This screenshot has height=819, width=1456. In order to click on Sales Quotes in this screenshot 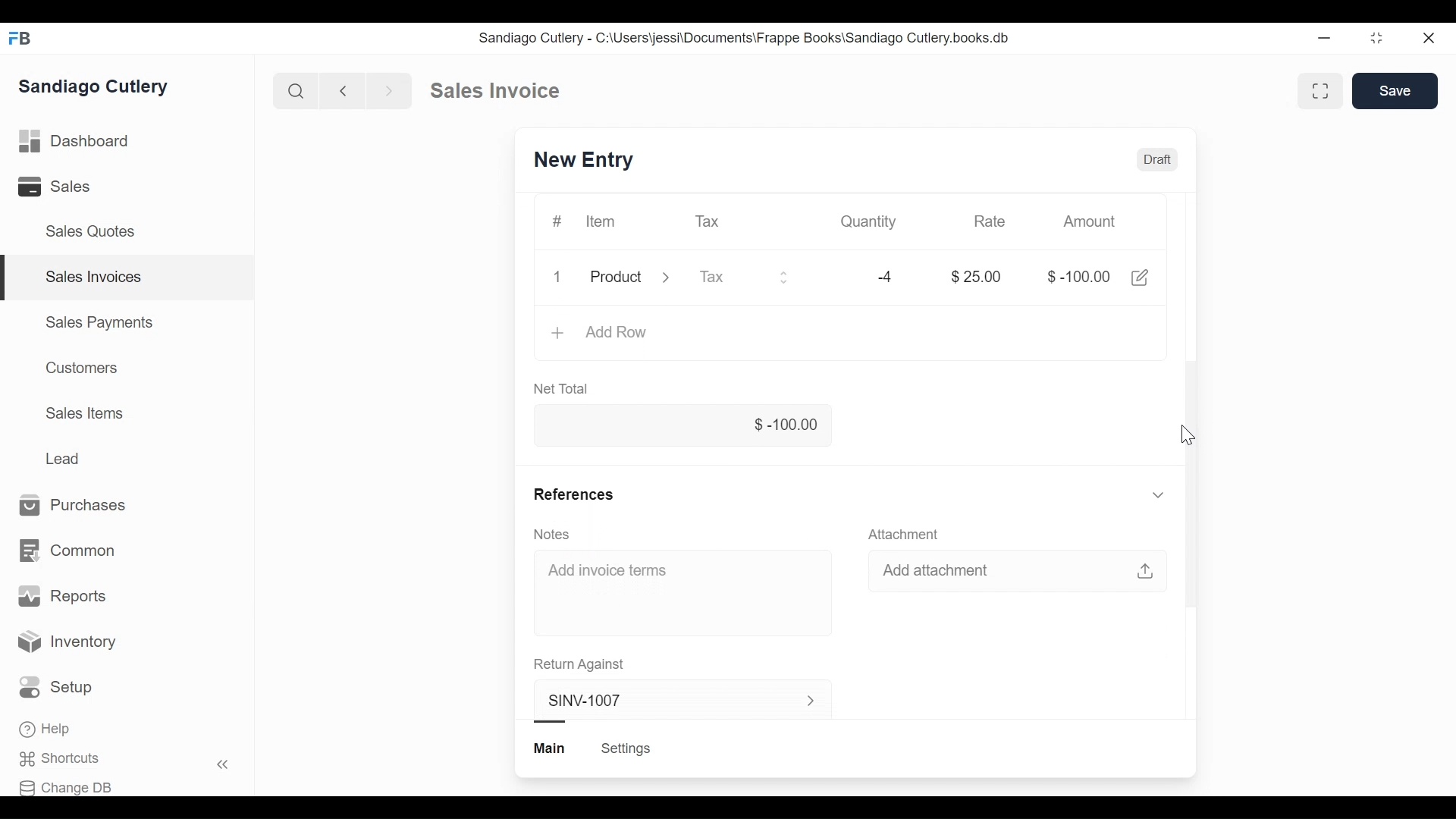, I will do `click(93, 231)`.